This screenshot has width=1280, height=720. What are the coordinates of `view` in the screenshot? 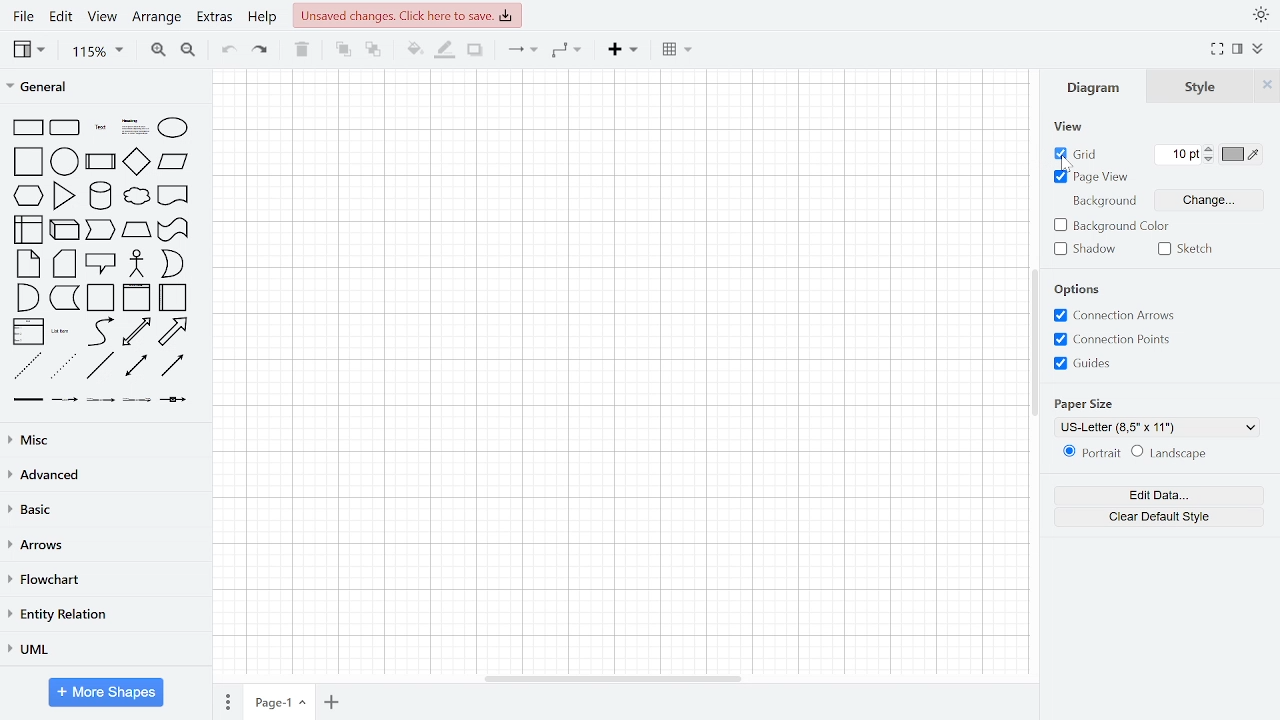 It's located at (1068, 129).